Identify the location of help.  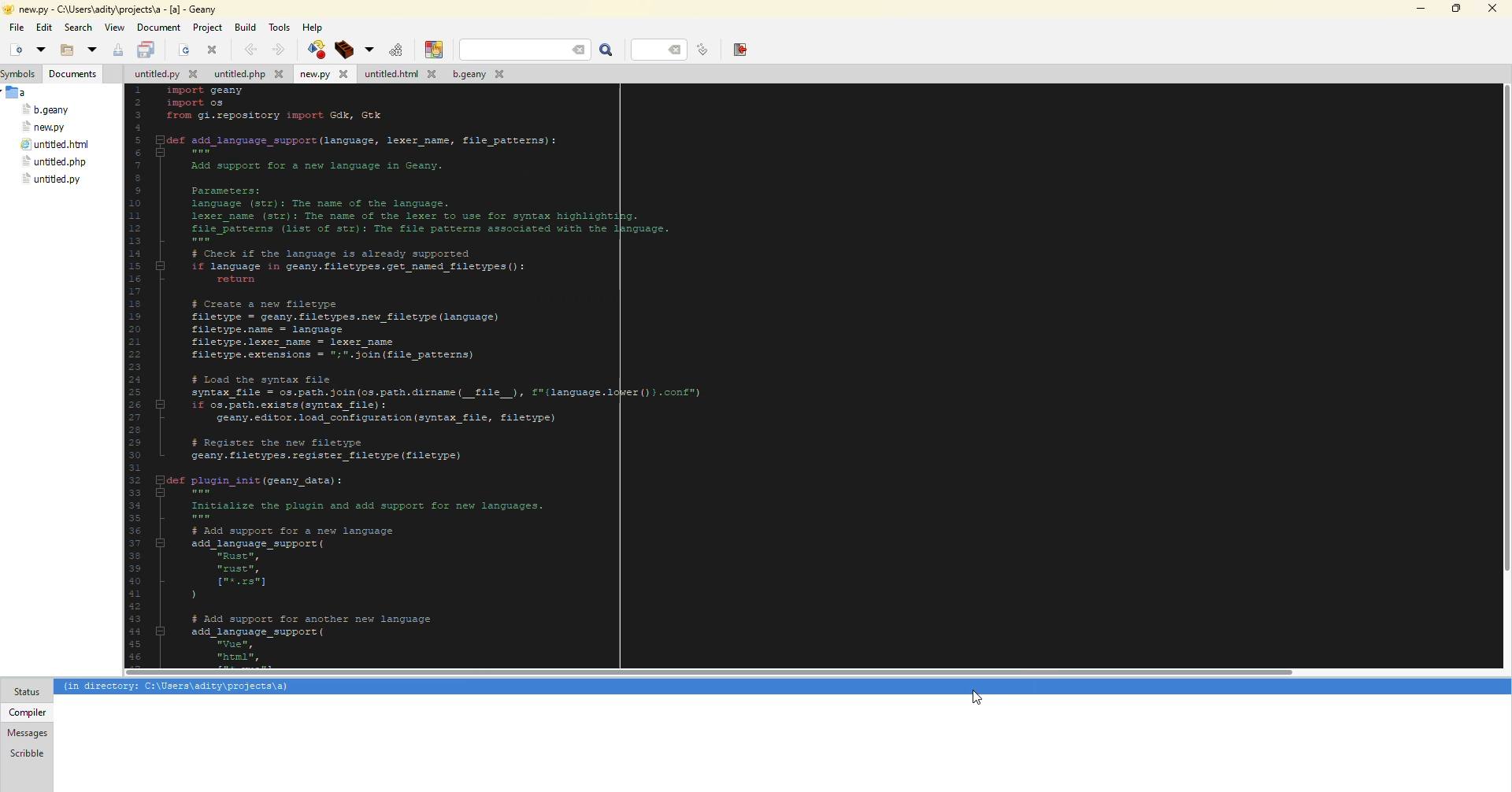
(313, 27).